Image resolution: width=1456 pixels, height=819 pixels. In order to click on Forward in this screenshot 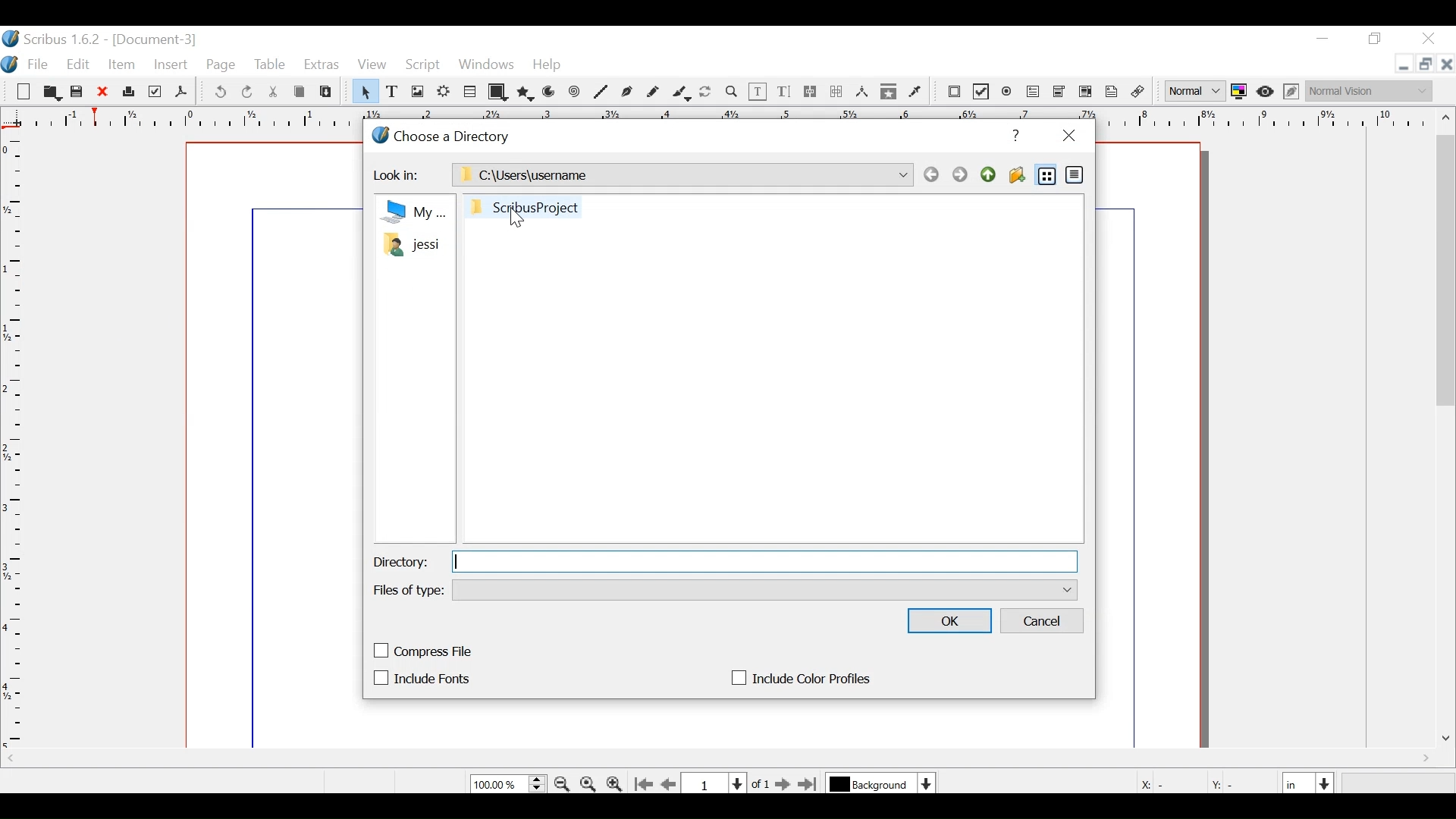, I will do `click(962, 174)`.